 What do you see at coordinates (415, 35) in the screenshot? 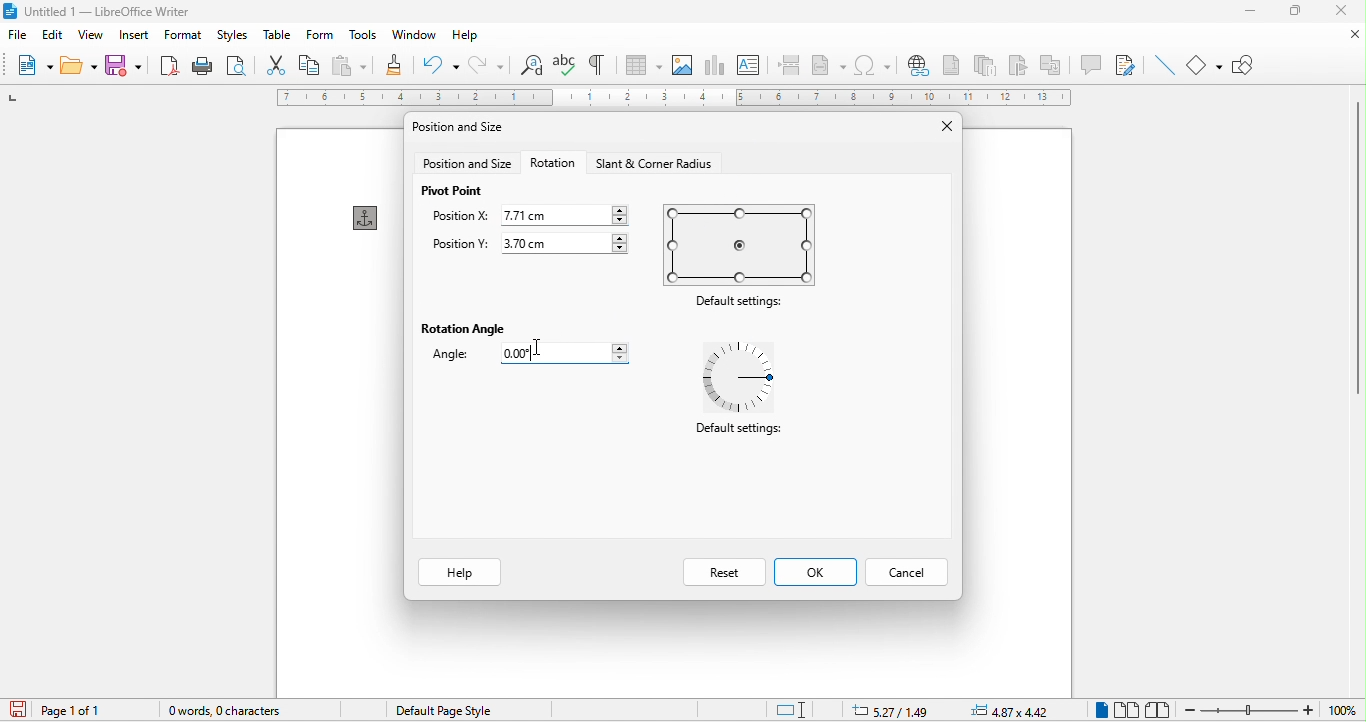
I see `window` at bounding box center [415, 35].